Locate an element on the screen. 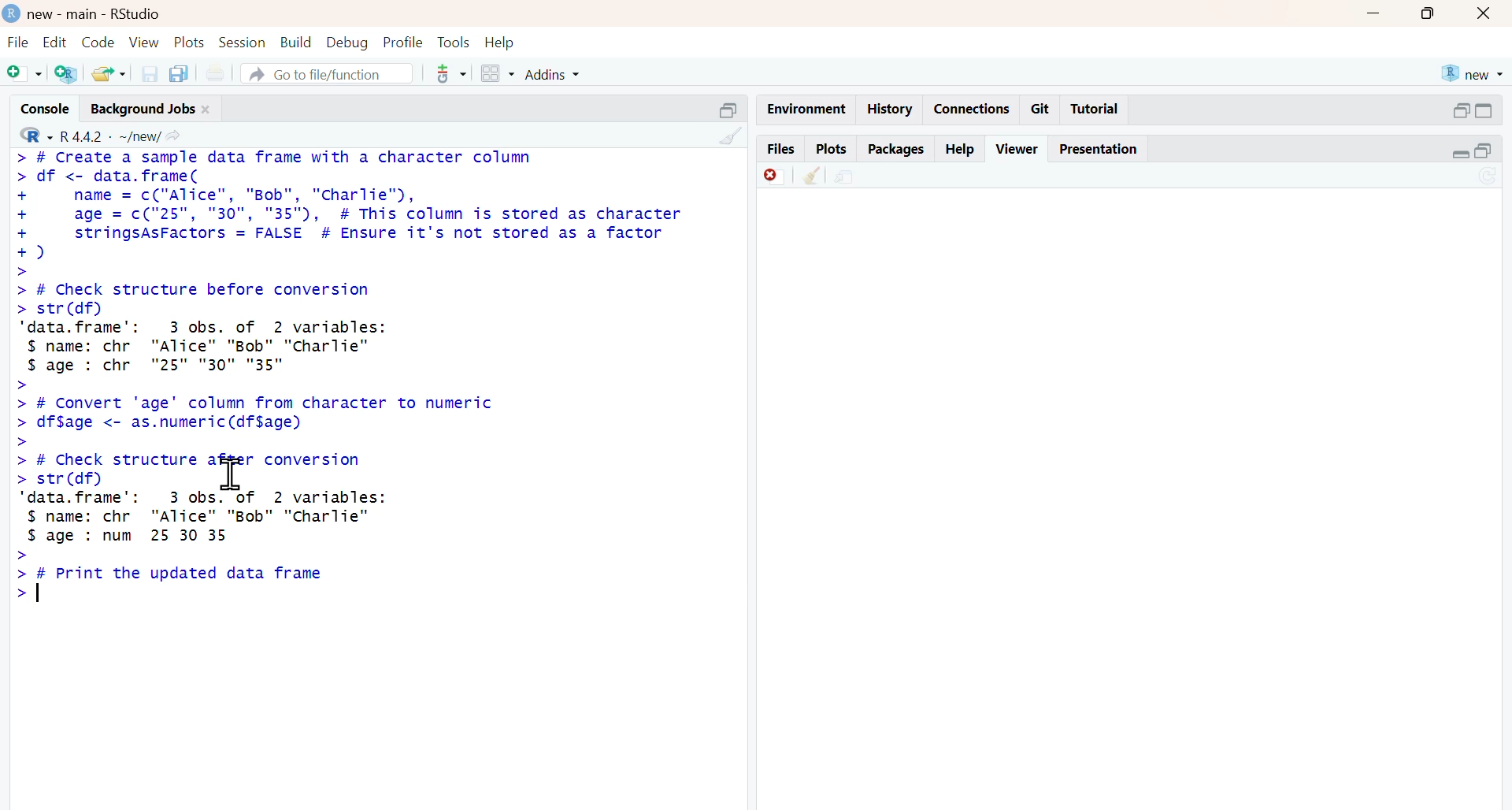 This screenshot has height=810, width=1512. viewer is located at coordinates (1019, 149).